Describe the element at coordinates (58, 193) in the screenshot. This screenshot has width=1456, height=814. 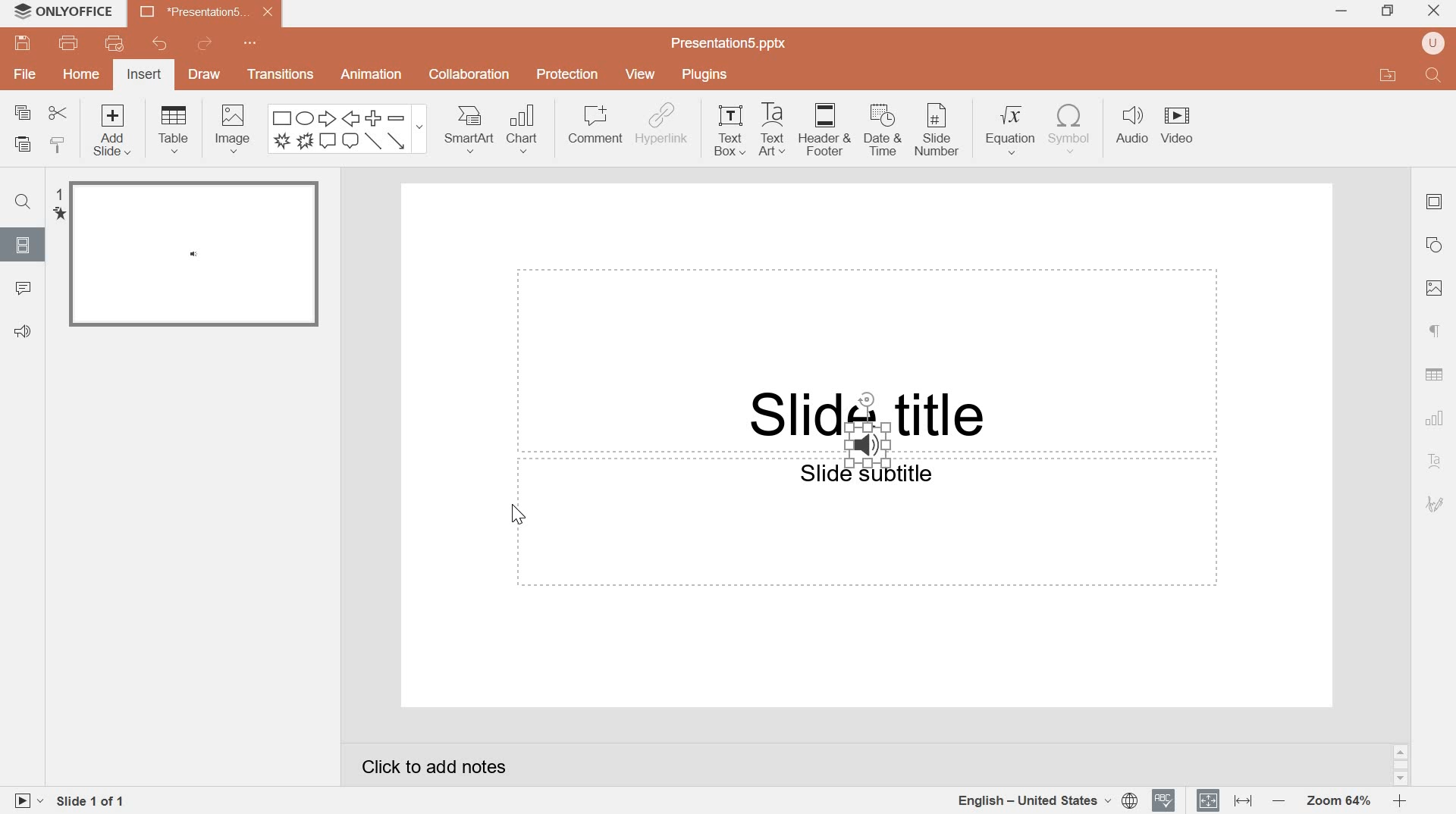
I see `1` at that location.